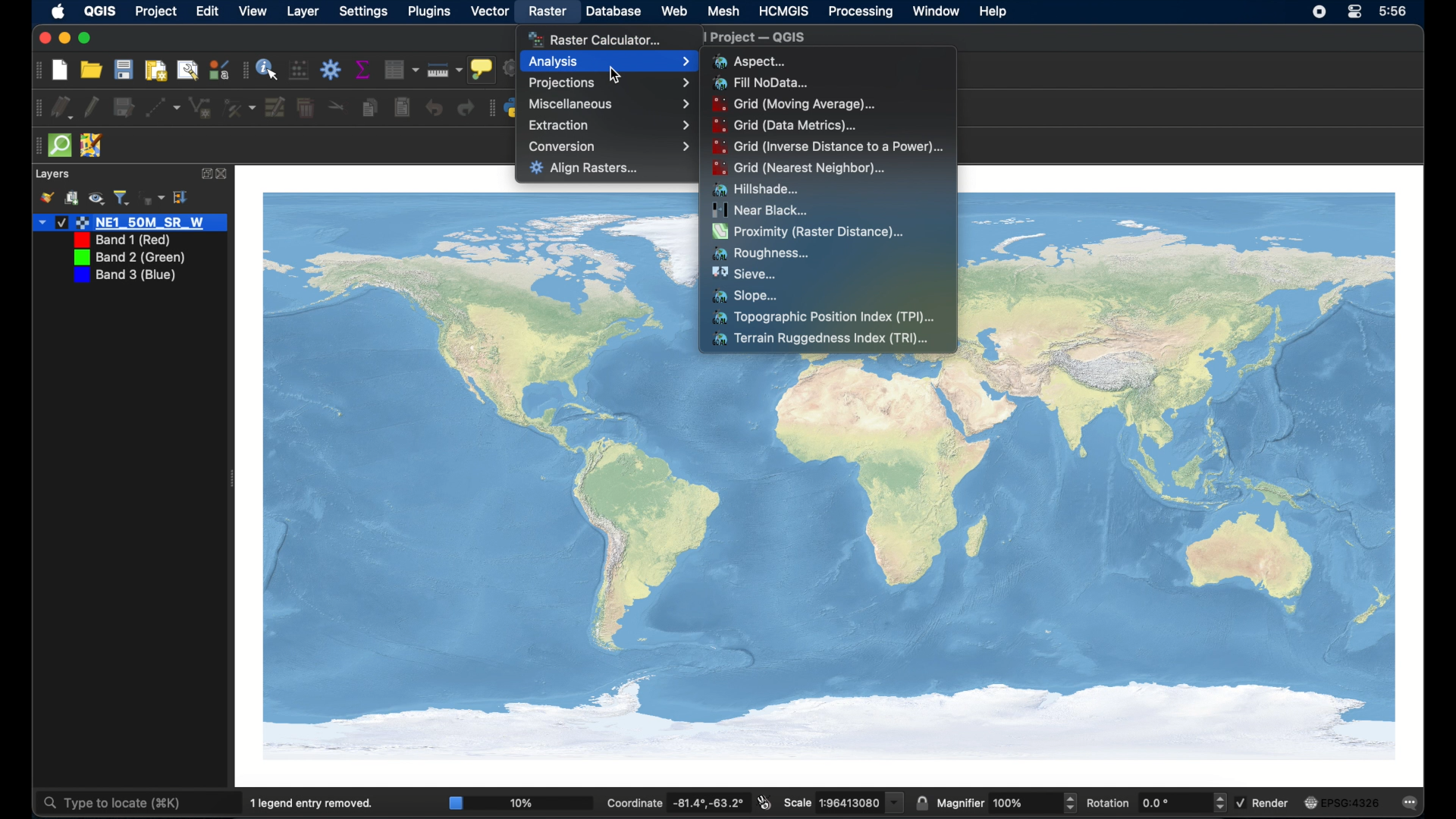 The width and height of the screenshot is (1456, 819). What do you see at coordinates (46, 199) in the screenshot?
I see `styling panel` at bounding box center [46, 199].